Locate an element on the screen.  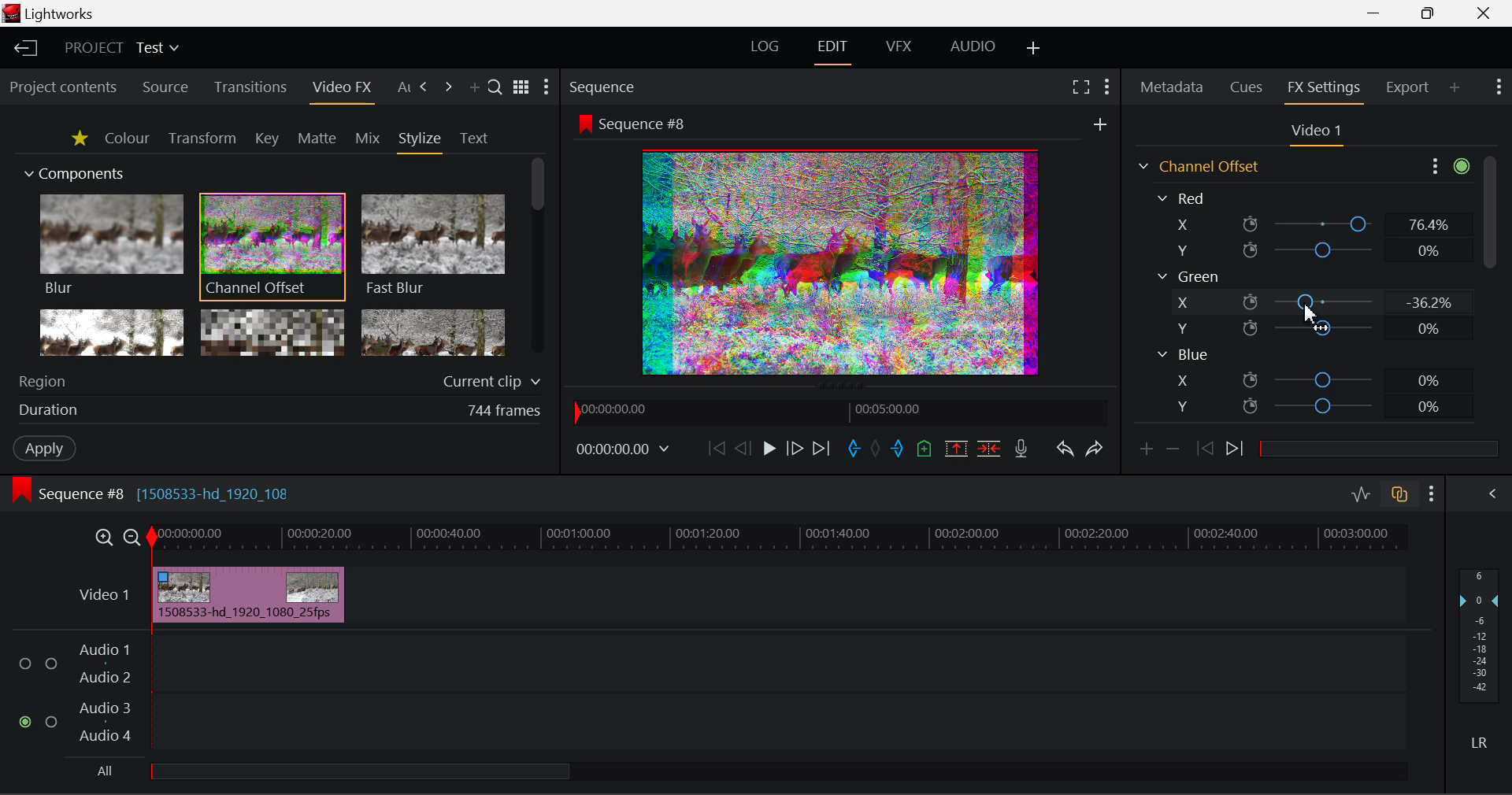
Add keyframe is located at coordinates (1145, 453).